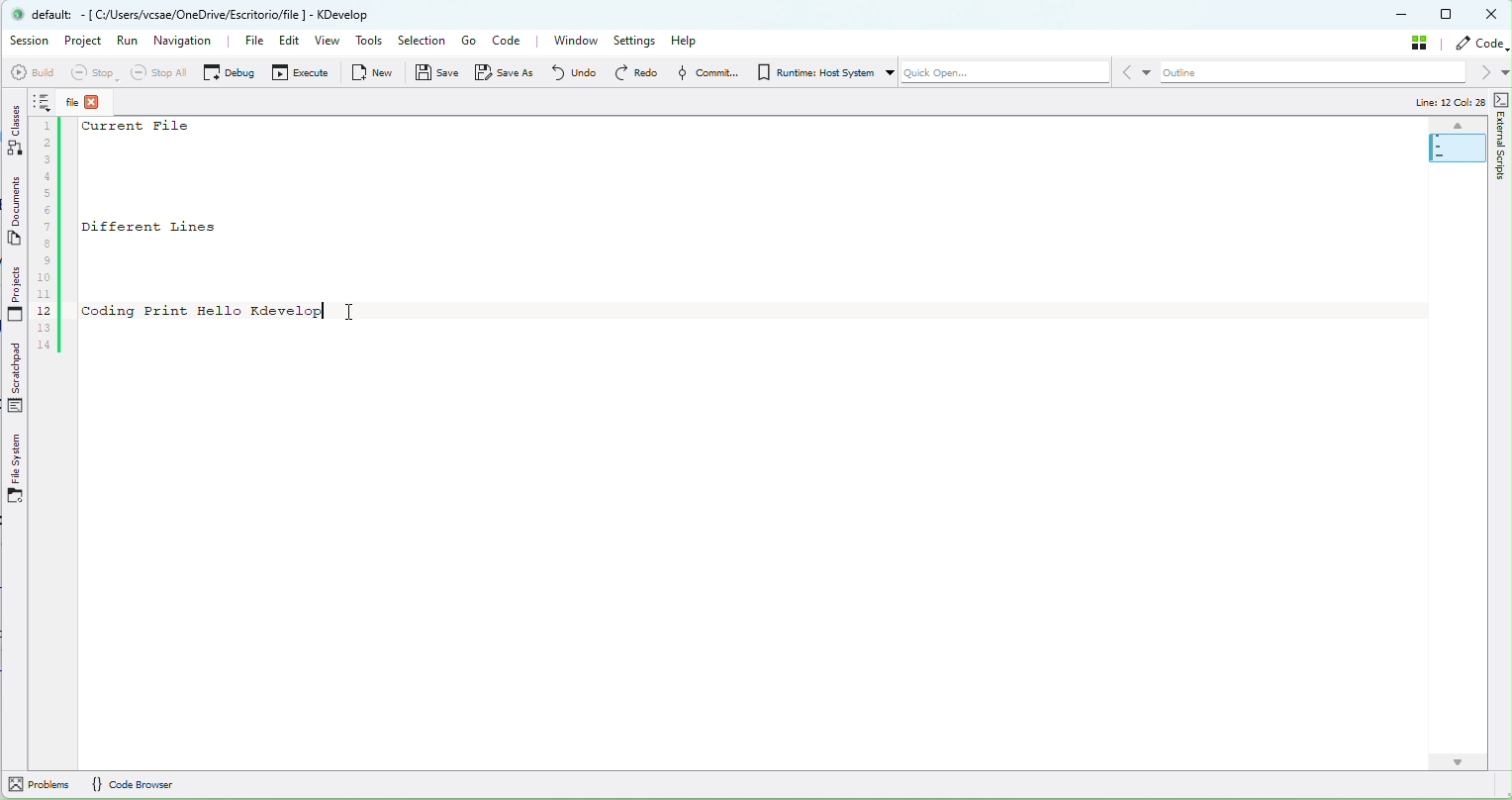 This screenshot has height=800, width=1512. I want to click on Problems (Information), so click(38, 787).